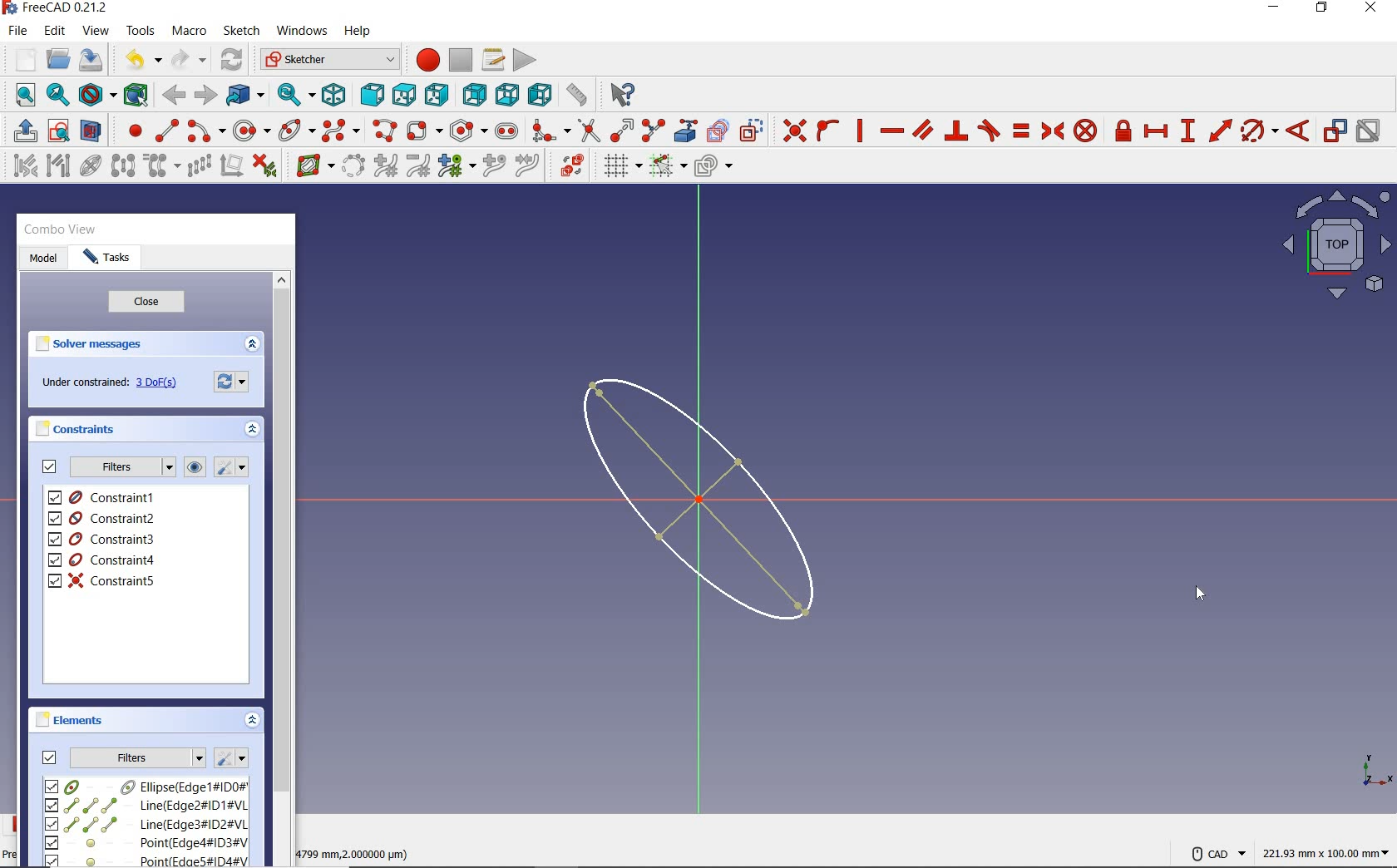 This screenshot has width=1397, height=868. Describe the element at coordinates (357, 851) in the screenshot. I see `cursor coordinates` at that location.